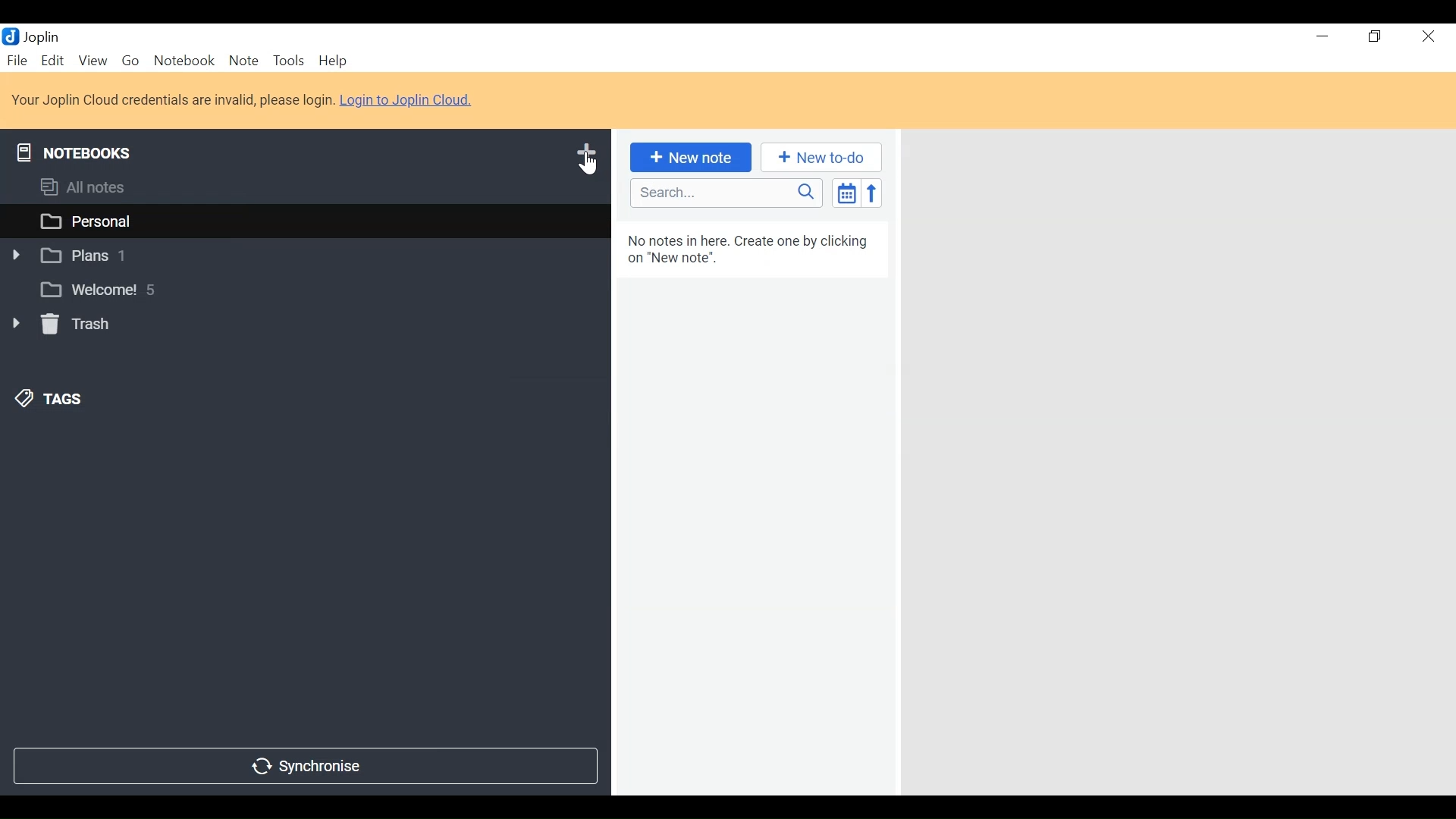 This screenshot has height=819, width=1456. What do you see at coordinates (299, 253) in the screenshot?
I see `plans 1 ` at bounding box center [299, 253].